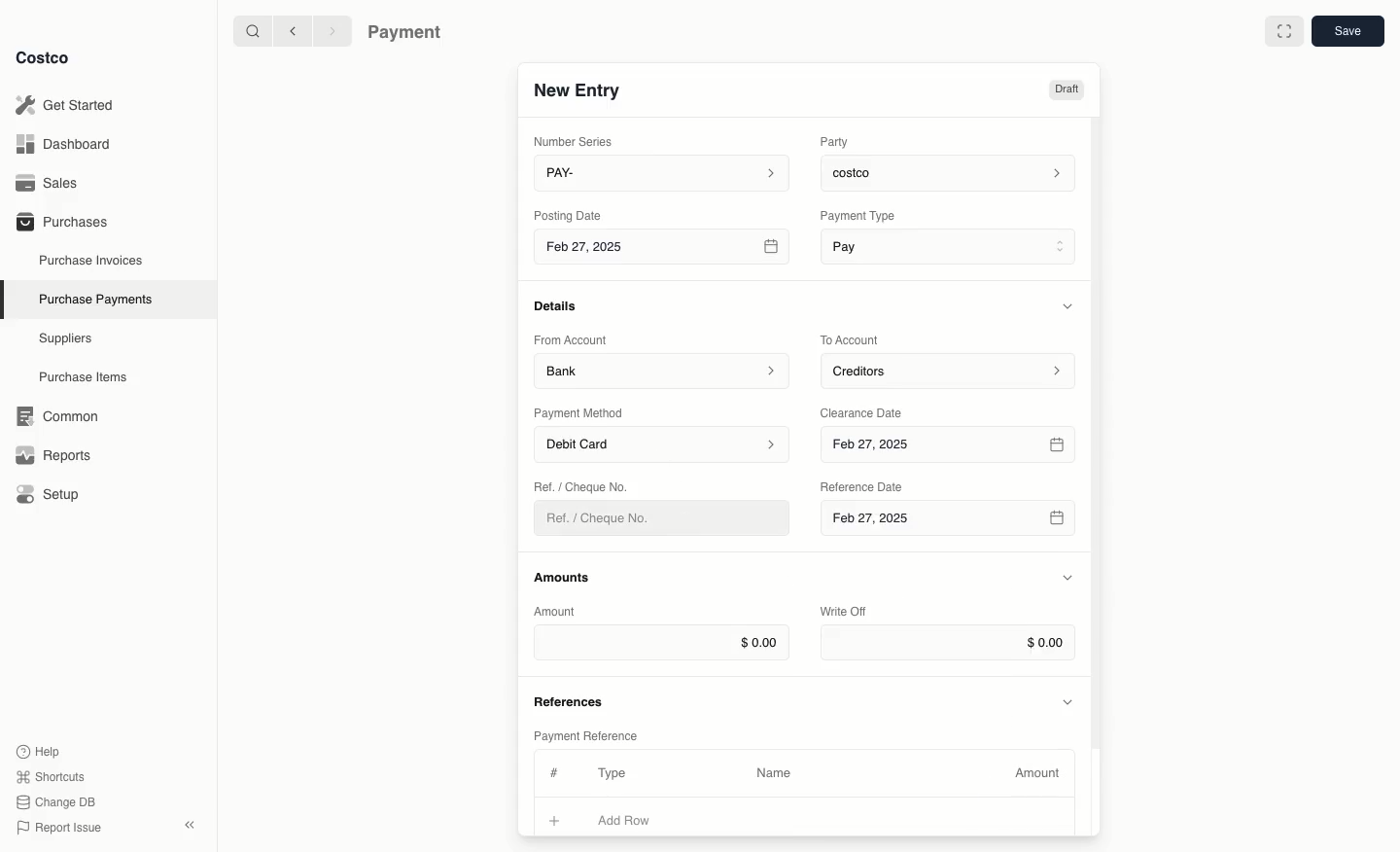 This screenshot has height=852, width=1400. I want to click on Write Off, so click(844, 613).